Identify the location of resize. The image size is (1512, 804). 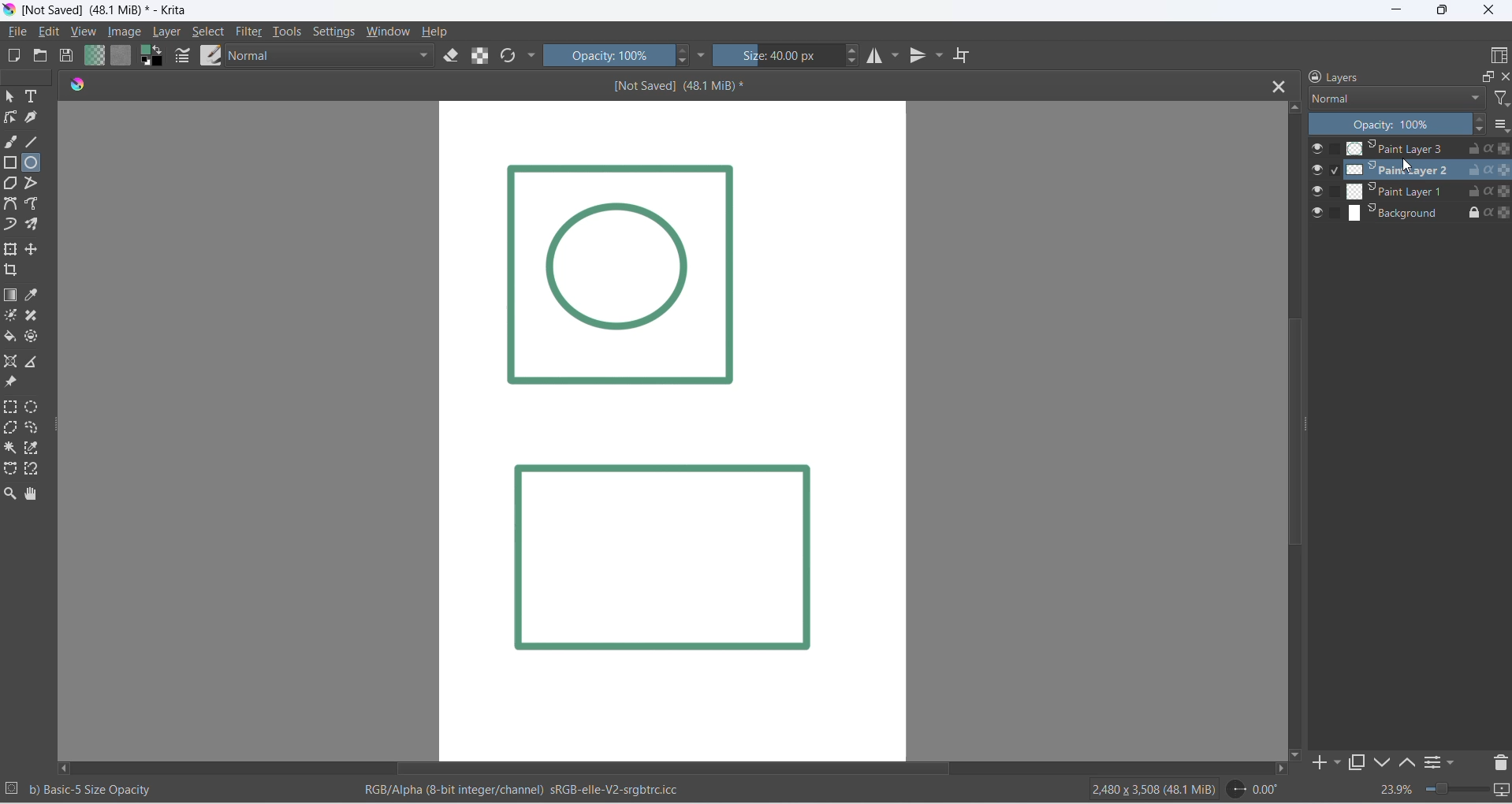
(58, 434).